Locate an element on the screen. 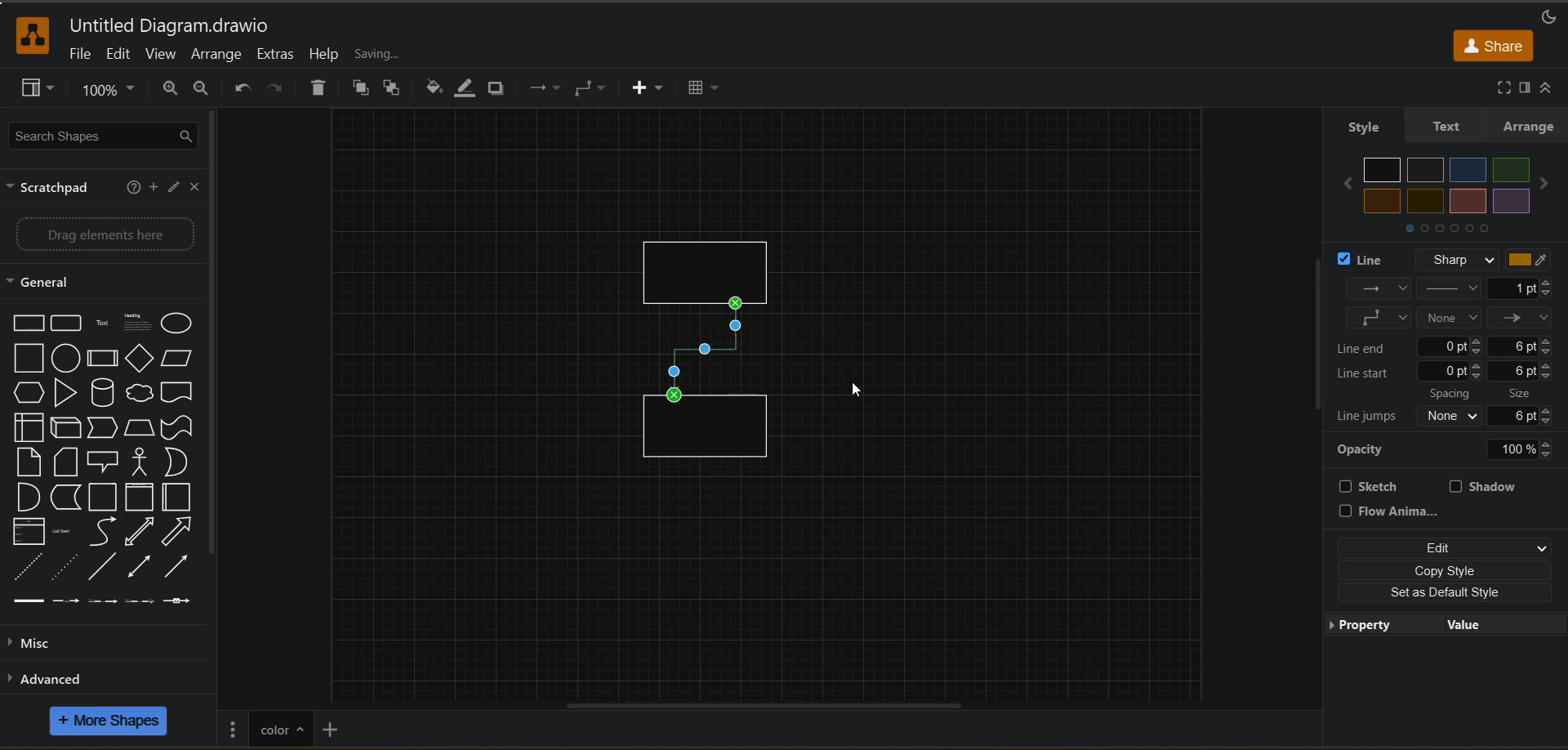 This screenshot has width=1568, height=750. page title is located at coordinates (280, 727).